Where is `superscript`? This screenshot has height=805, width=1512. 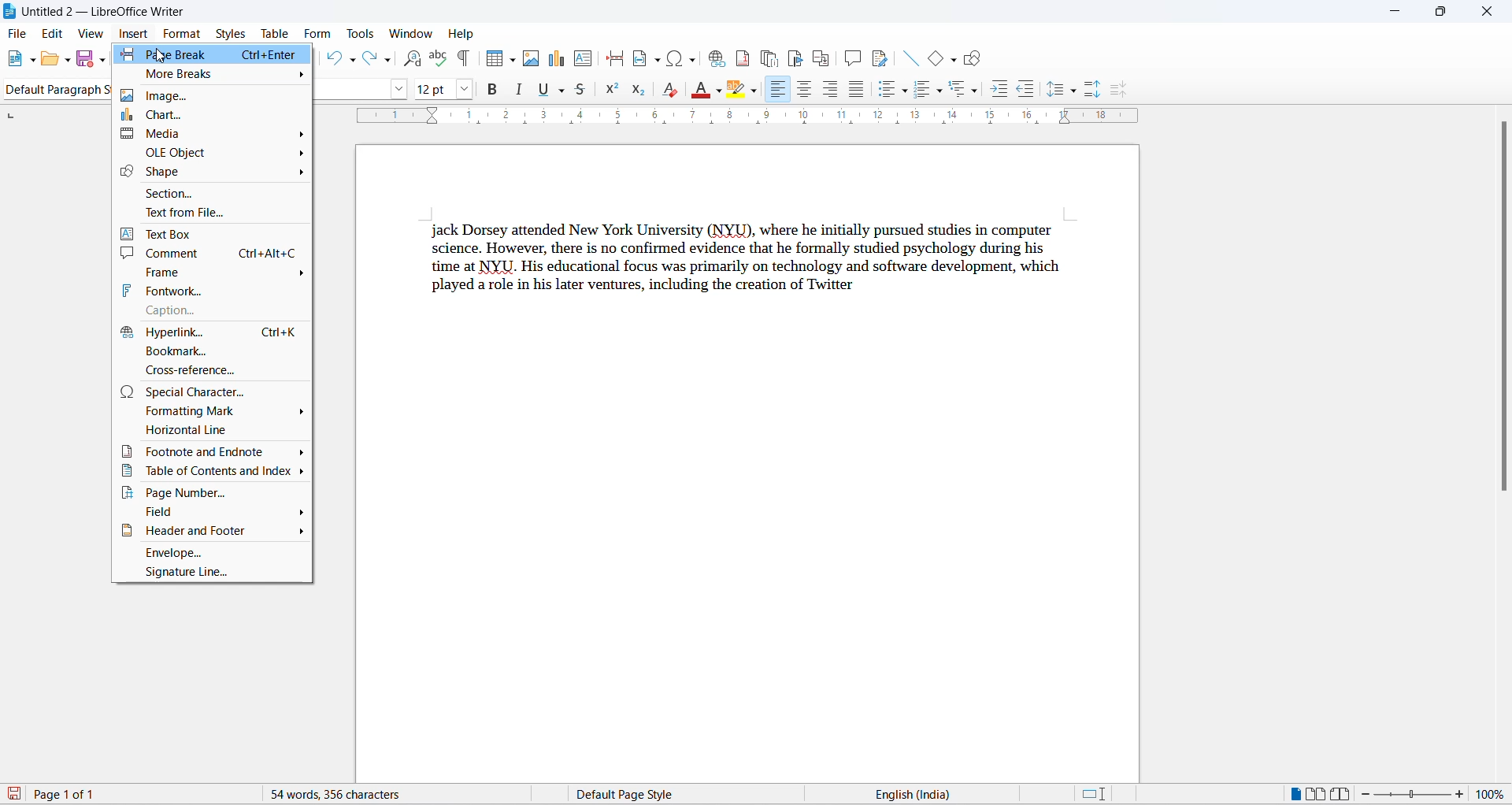 superscript is located at coordinates (613, 91).